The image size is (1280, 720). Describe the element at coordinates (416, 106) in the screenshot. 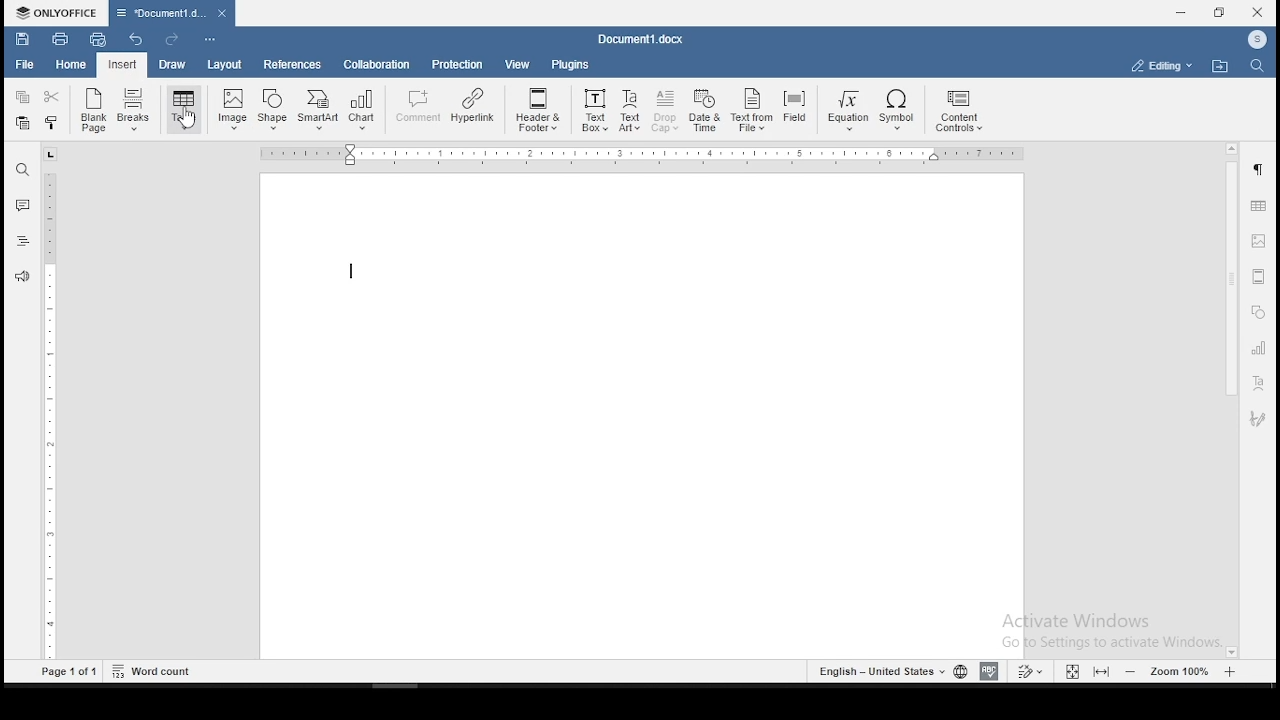

I see `comment` at that location.